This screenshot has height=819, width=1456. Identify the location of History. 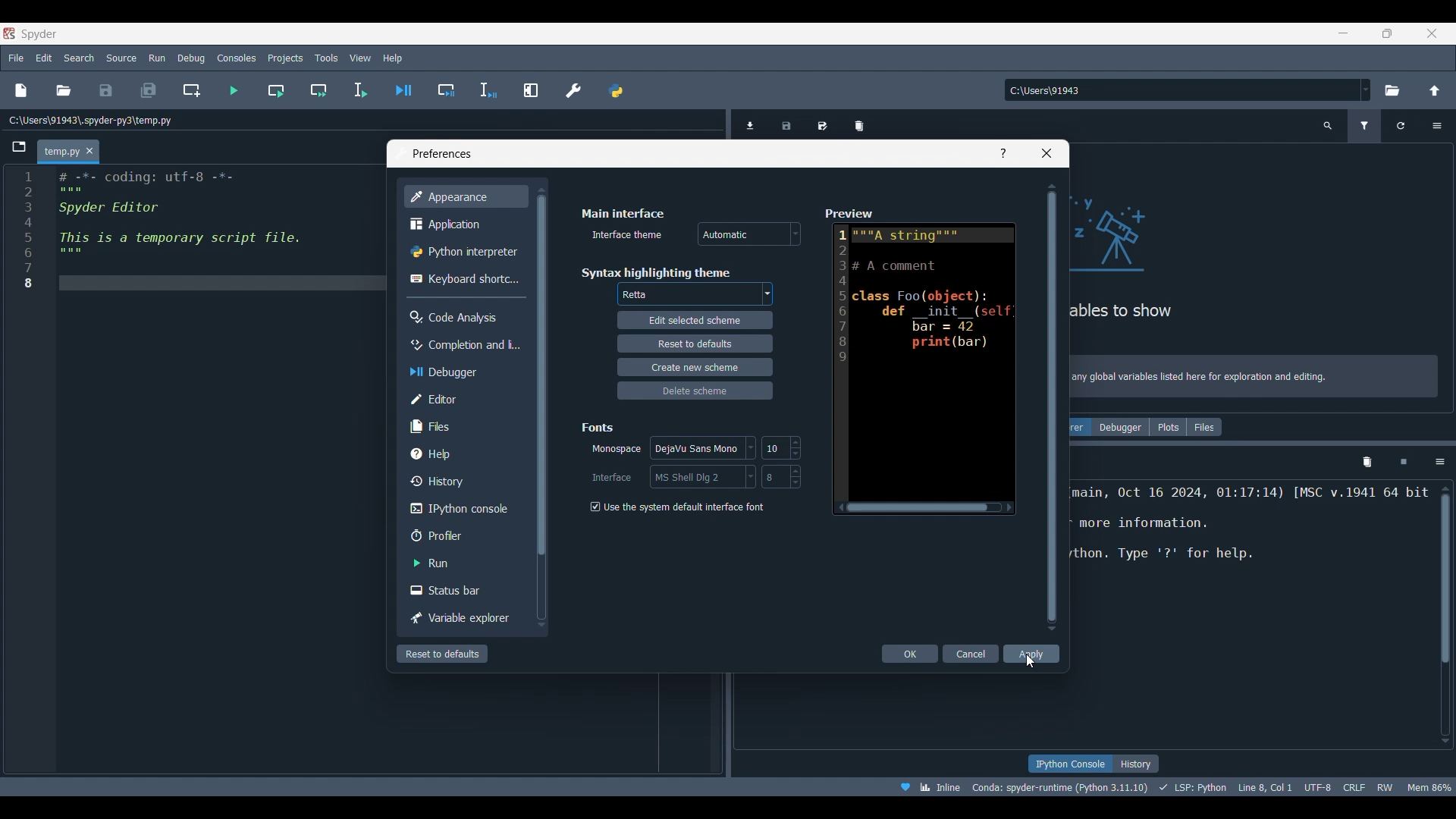
(463, 481).